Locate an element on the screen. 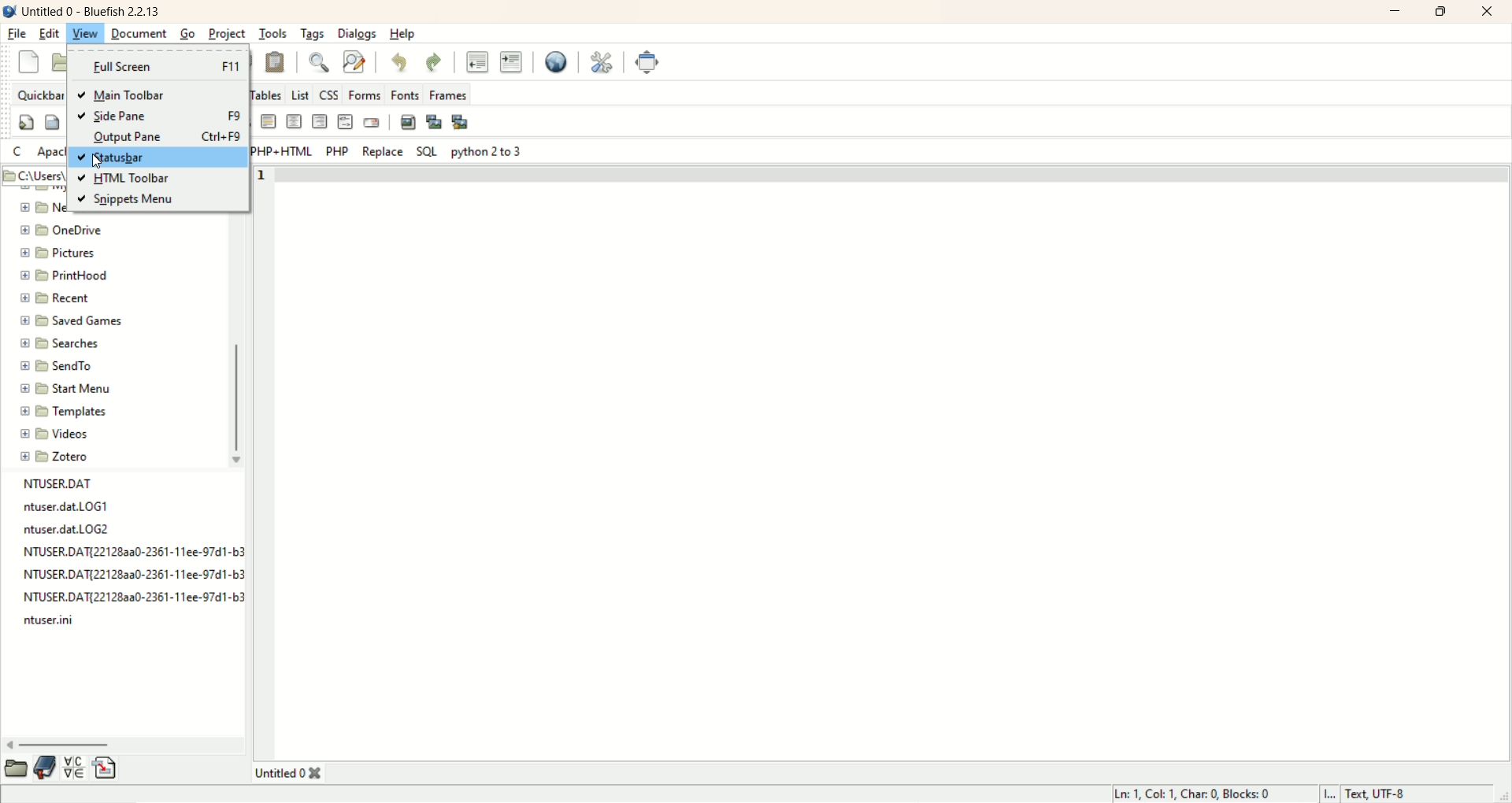  SQL is located at coordinates (428, 150).